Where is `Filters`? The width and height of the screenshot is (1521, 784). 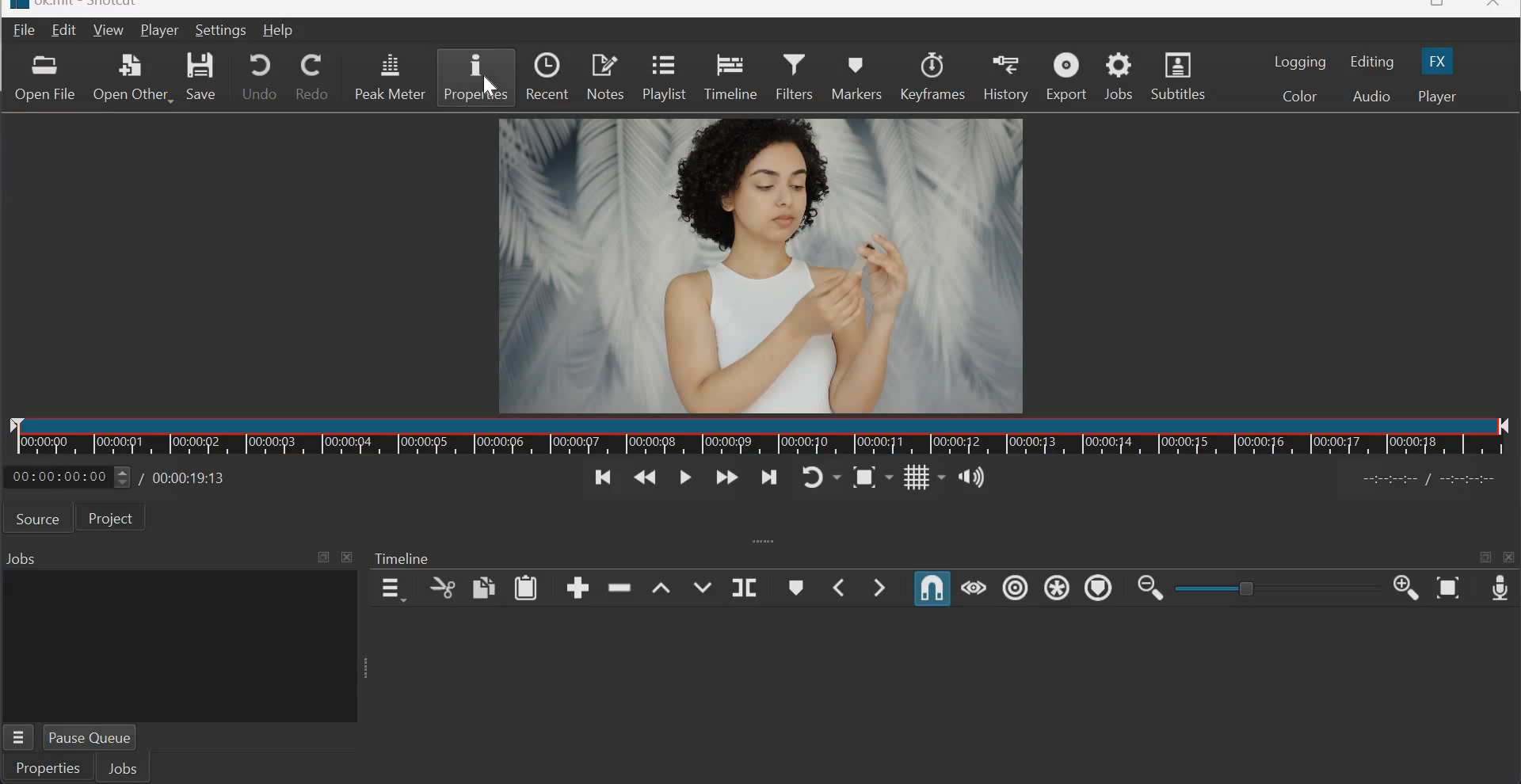 Filters is located at coordinates (794, 77).